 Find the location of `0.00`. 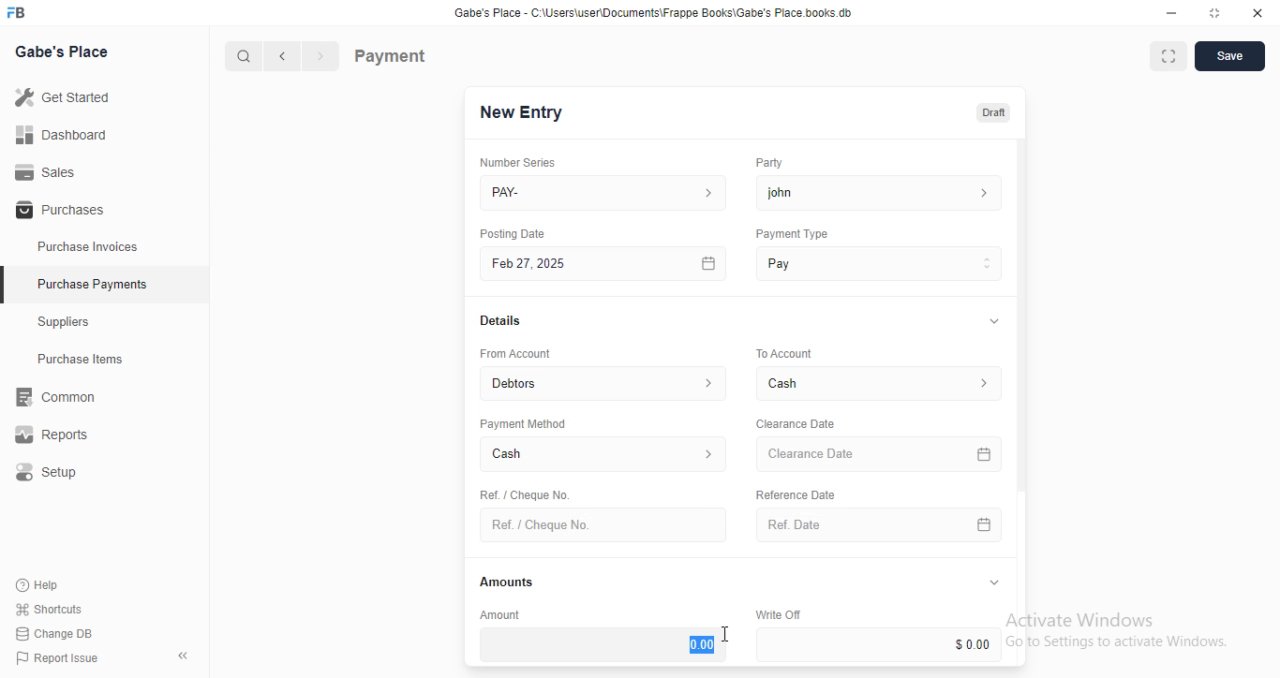

0.00 is located at coordinates (603, 644).